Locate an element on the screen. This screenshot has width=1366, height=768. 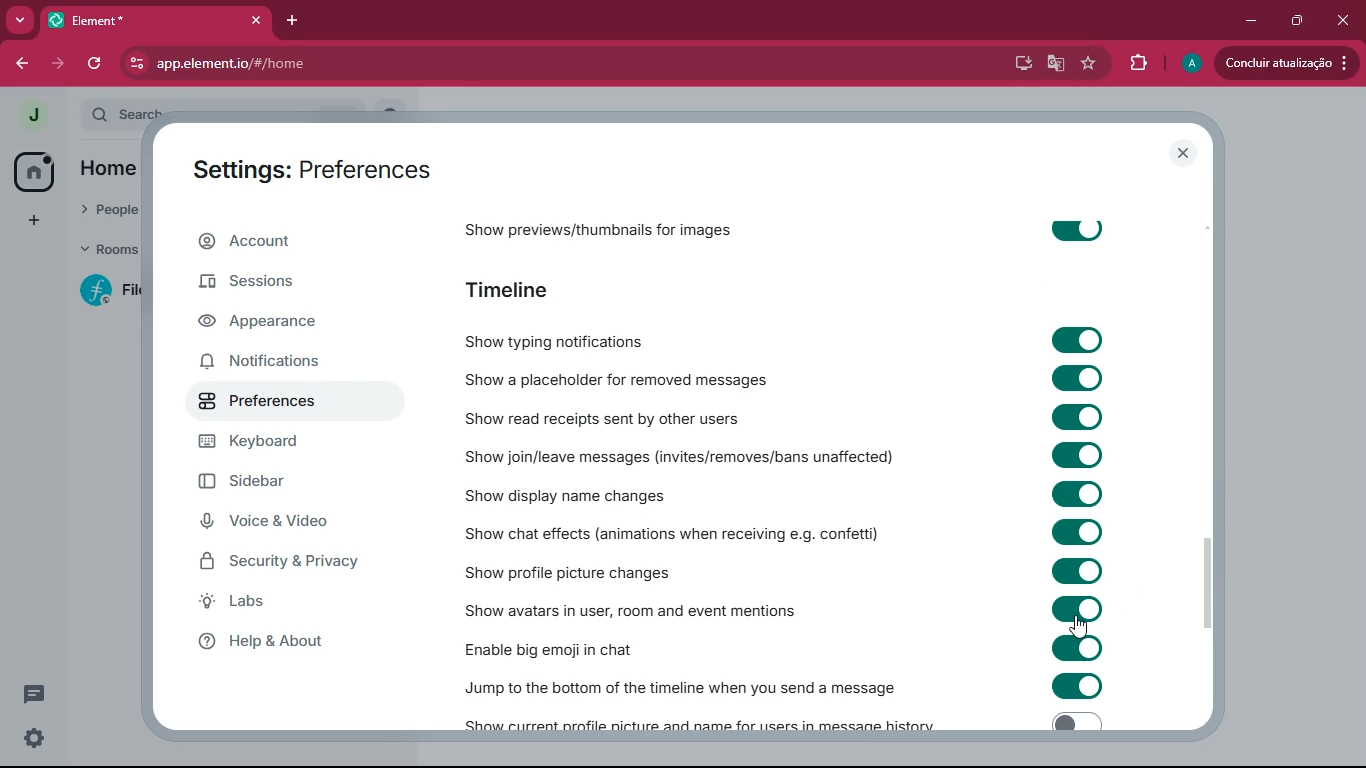
add is located at coordinates (30, 220).